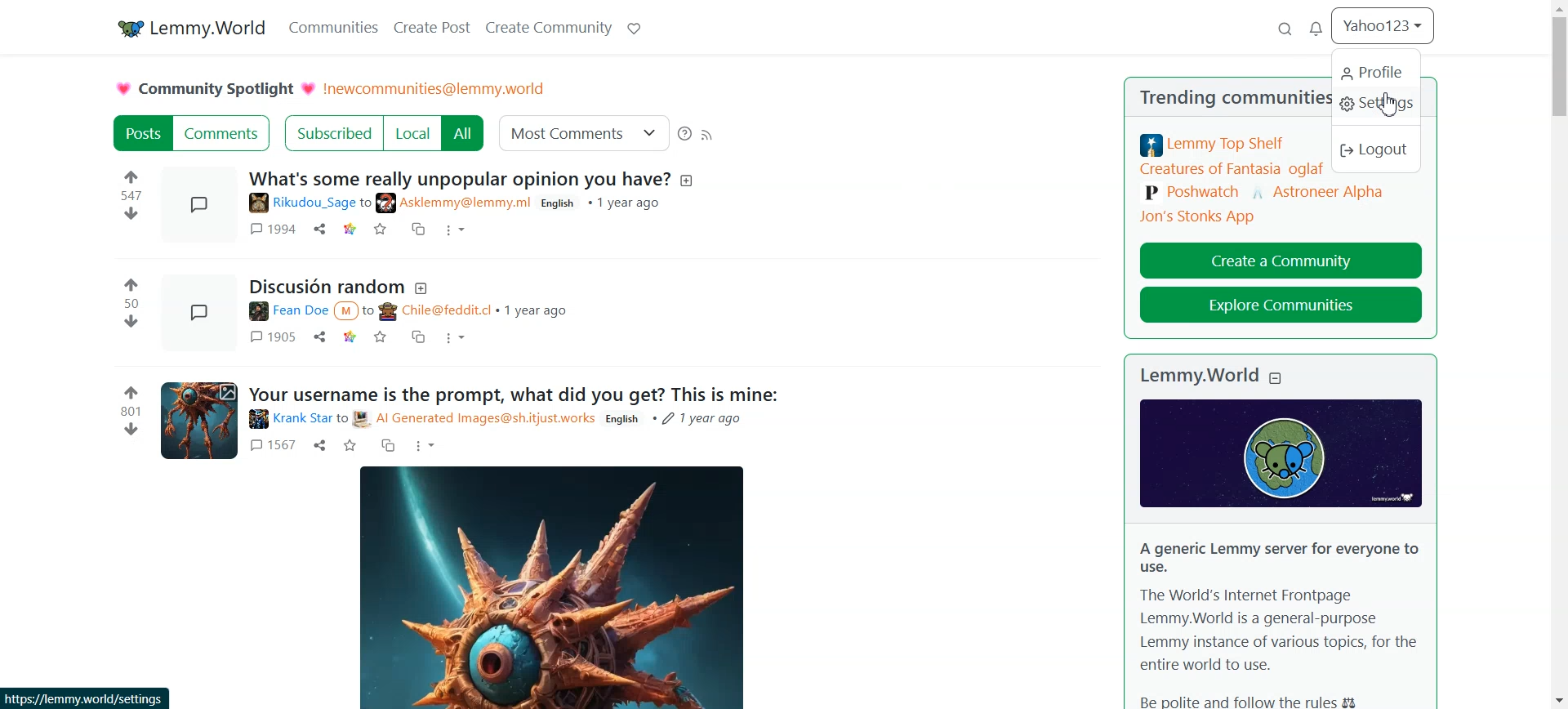 The width and height of the screenshot is (1568, 709). Describe the element at coordinates (187, 26) in the screenshot. I see `Lemmy.world` at that location.